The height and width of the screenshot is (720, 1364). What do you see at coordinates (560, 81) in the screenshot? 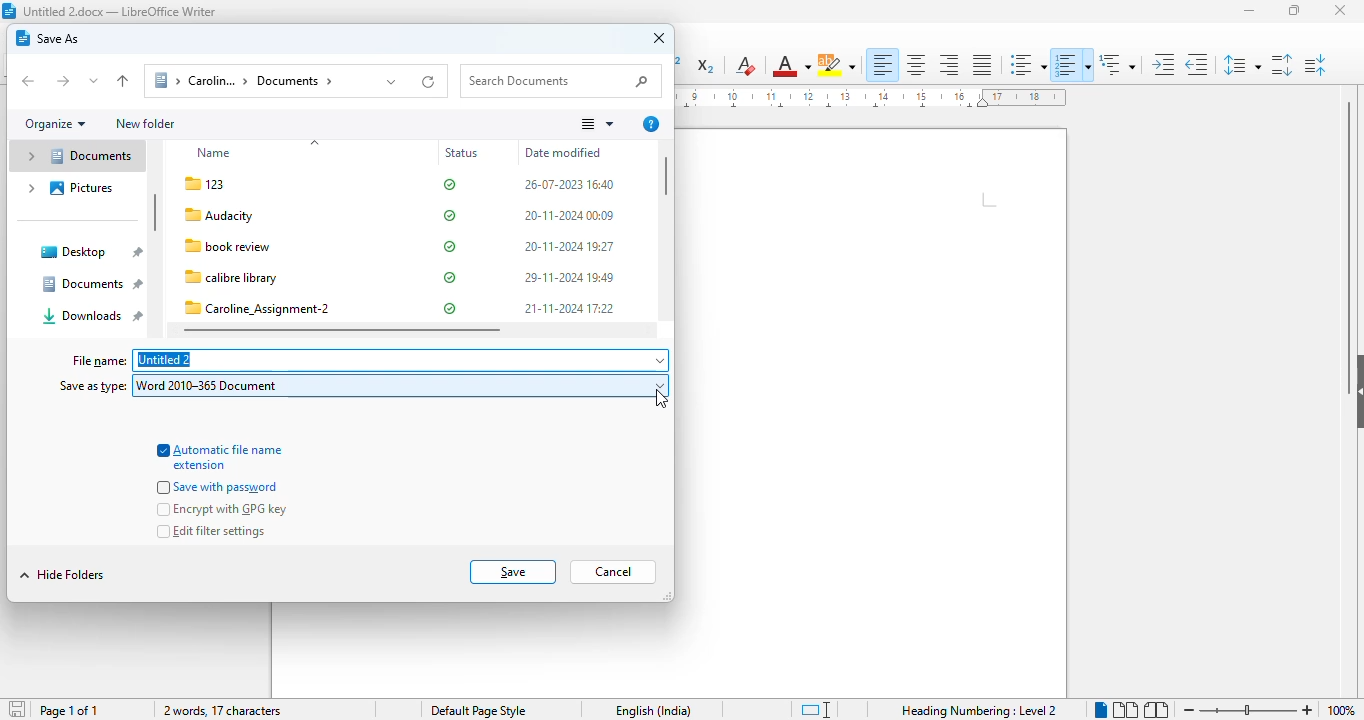
I see `search documents` at bounding box center [560, 81].